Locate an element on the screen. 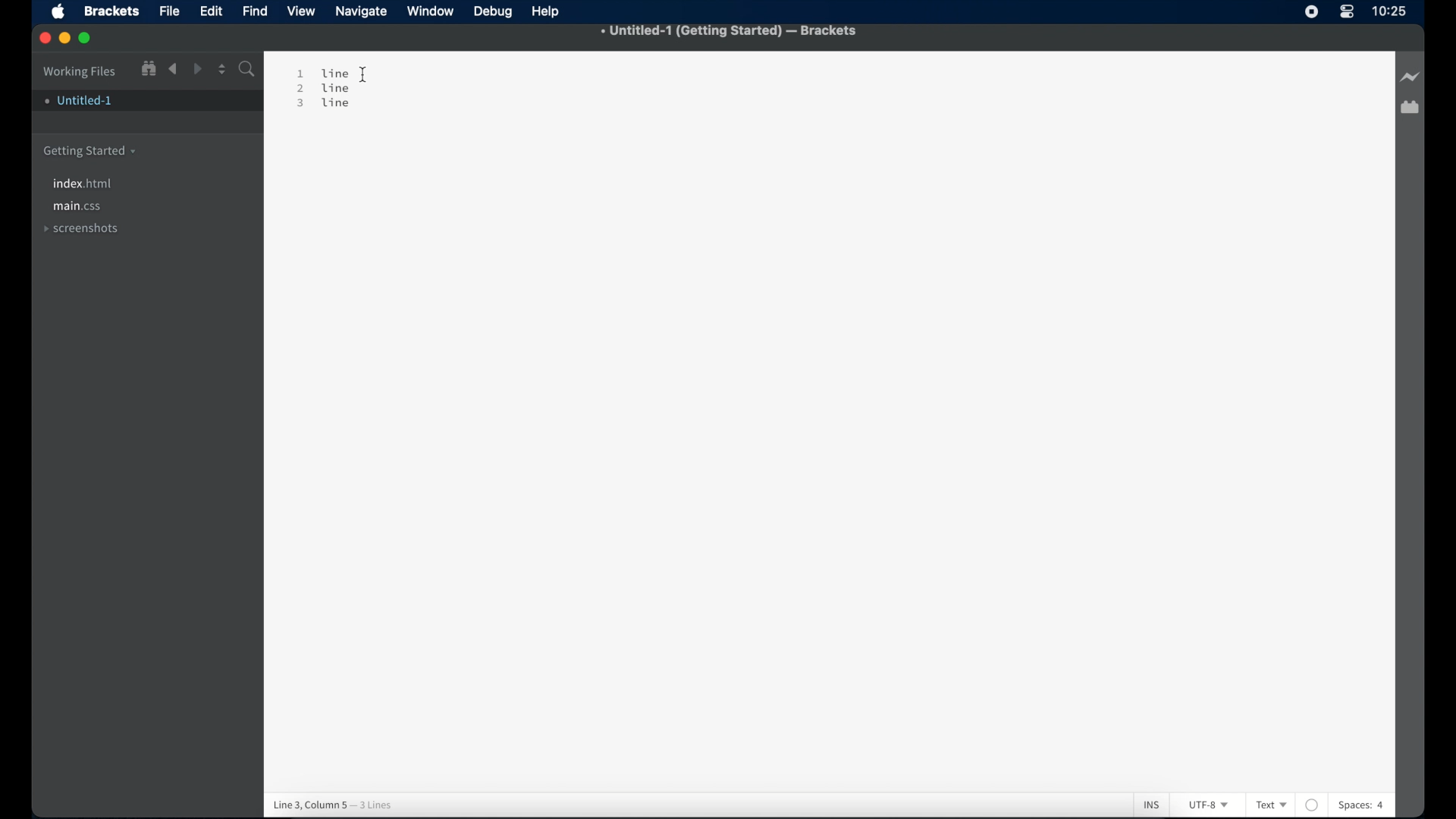  2 line is located at coordinates (327, 89).